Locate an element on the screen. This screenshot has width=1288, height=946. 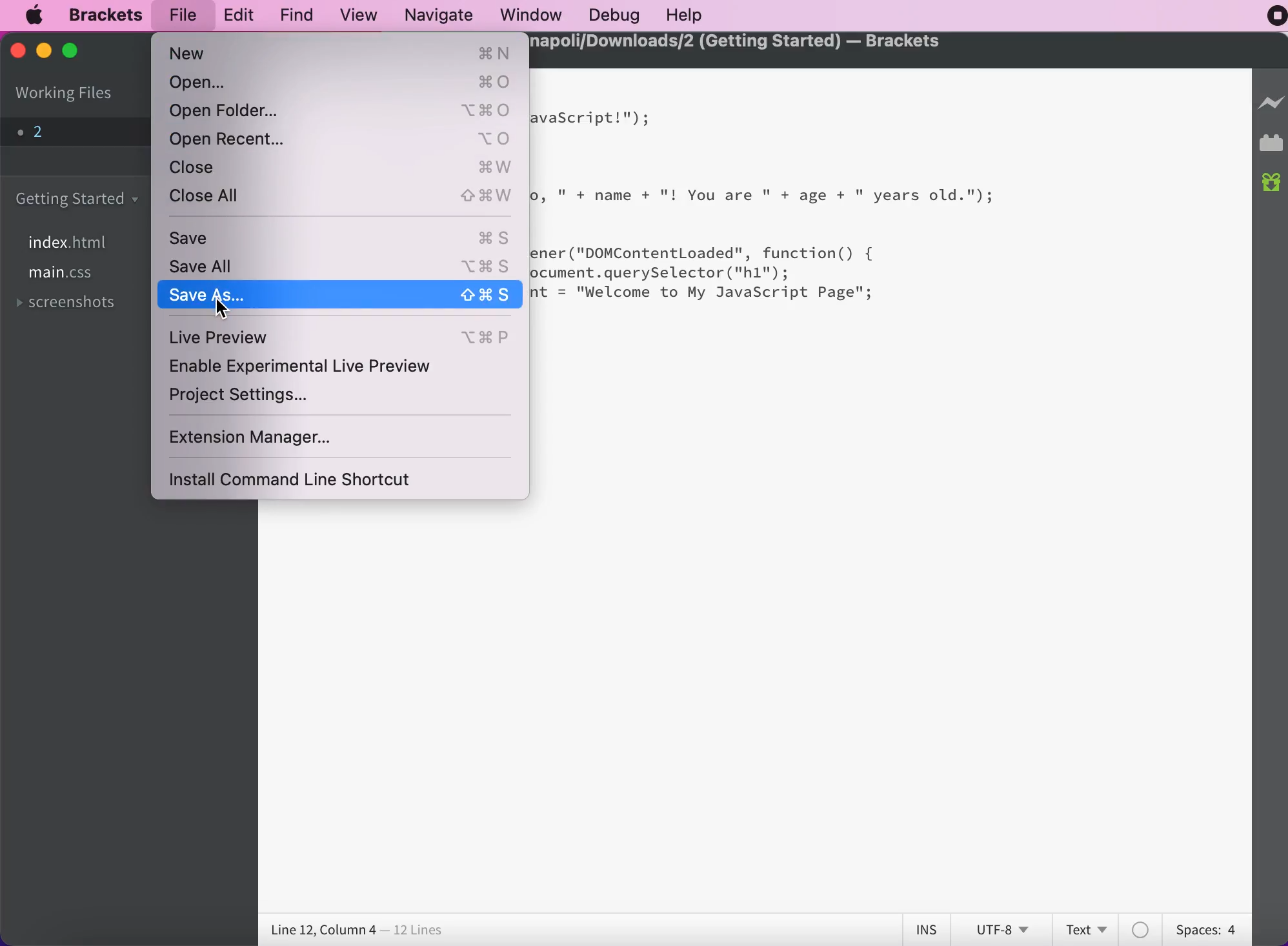
extension manager is located at coordinates (1271, 146).